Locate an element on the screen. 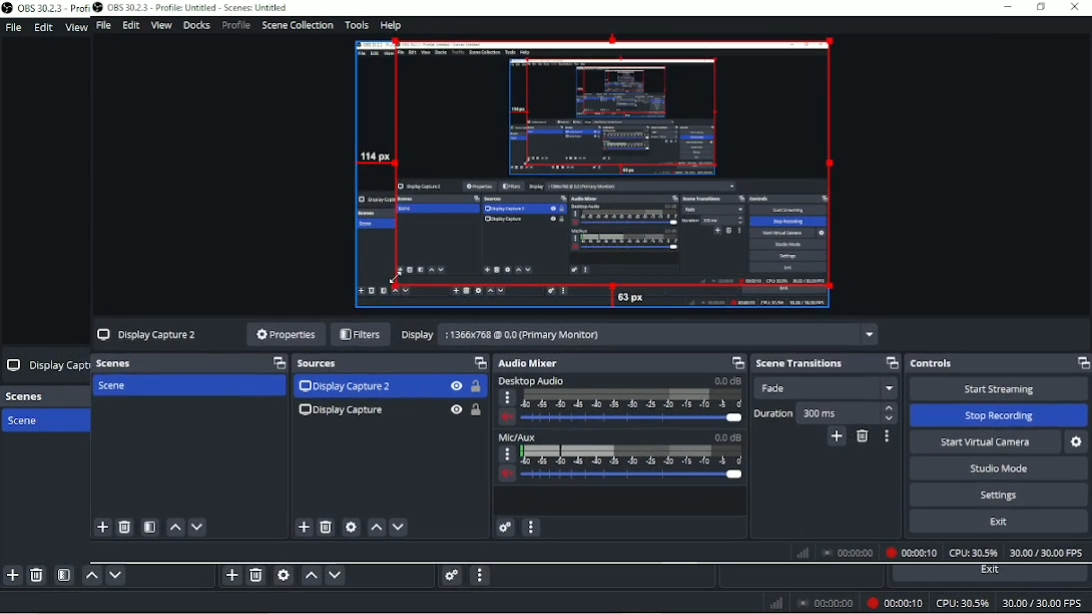  Help is located at coordinates (396, 24).